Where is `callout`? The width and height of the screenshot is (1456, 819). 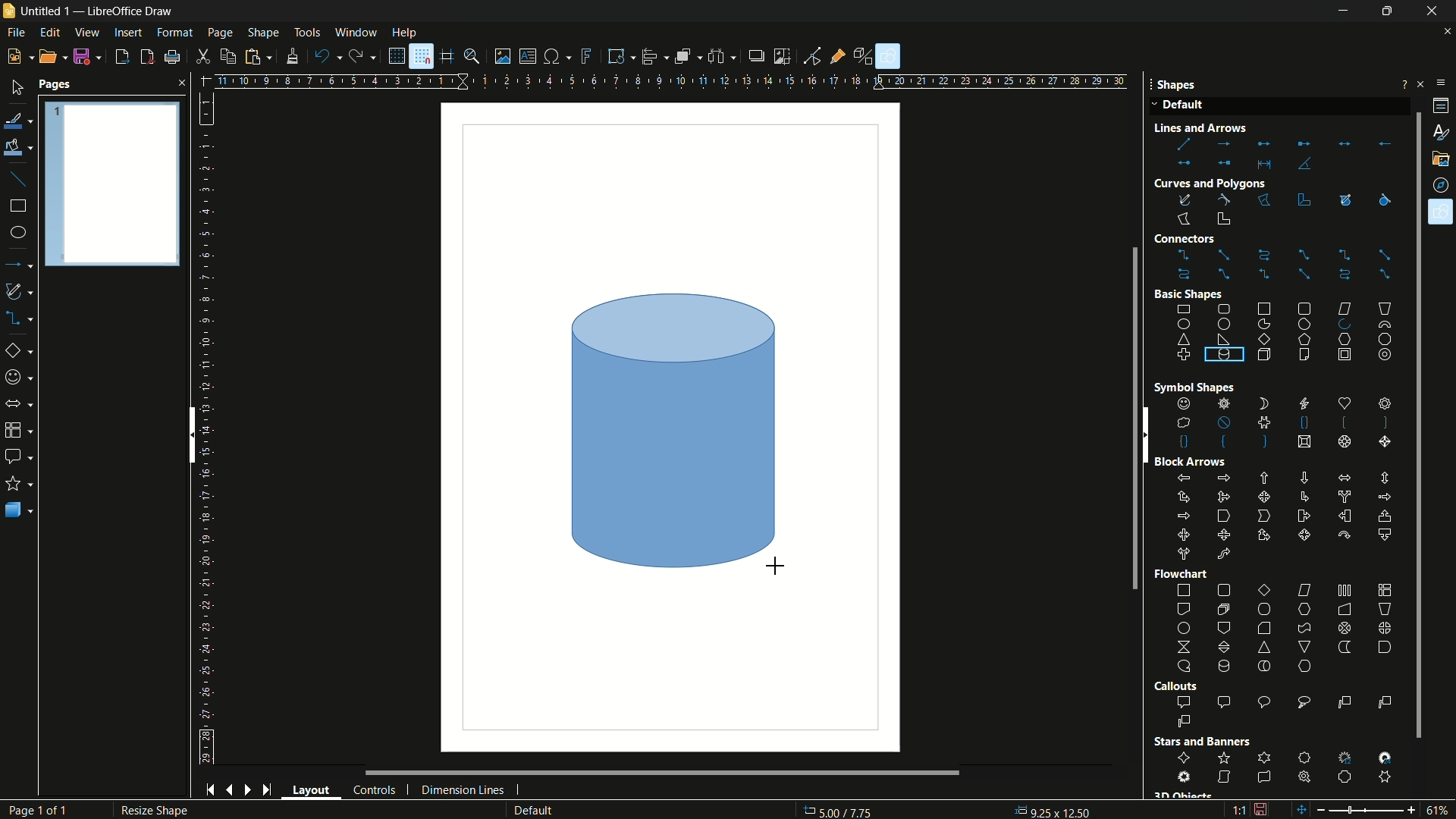 callout is located at coordinates (1286, 713).